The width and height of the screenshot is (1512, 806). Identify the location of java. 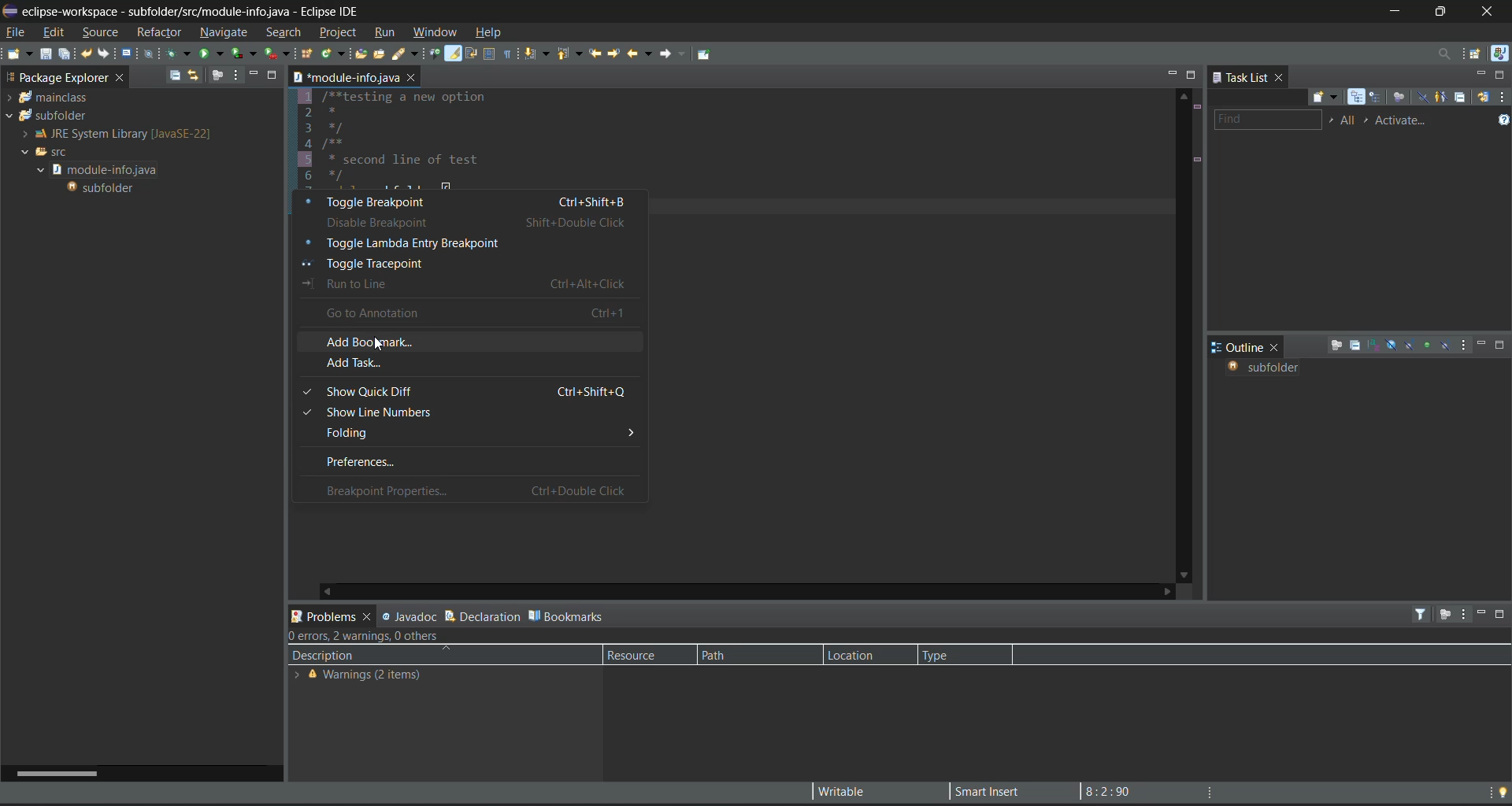
(1499, 54).